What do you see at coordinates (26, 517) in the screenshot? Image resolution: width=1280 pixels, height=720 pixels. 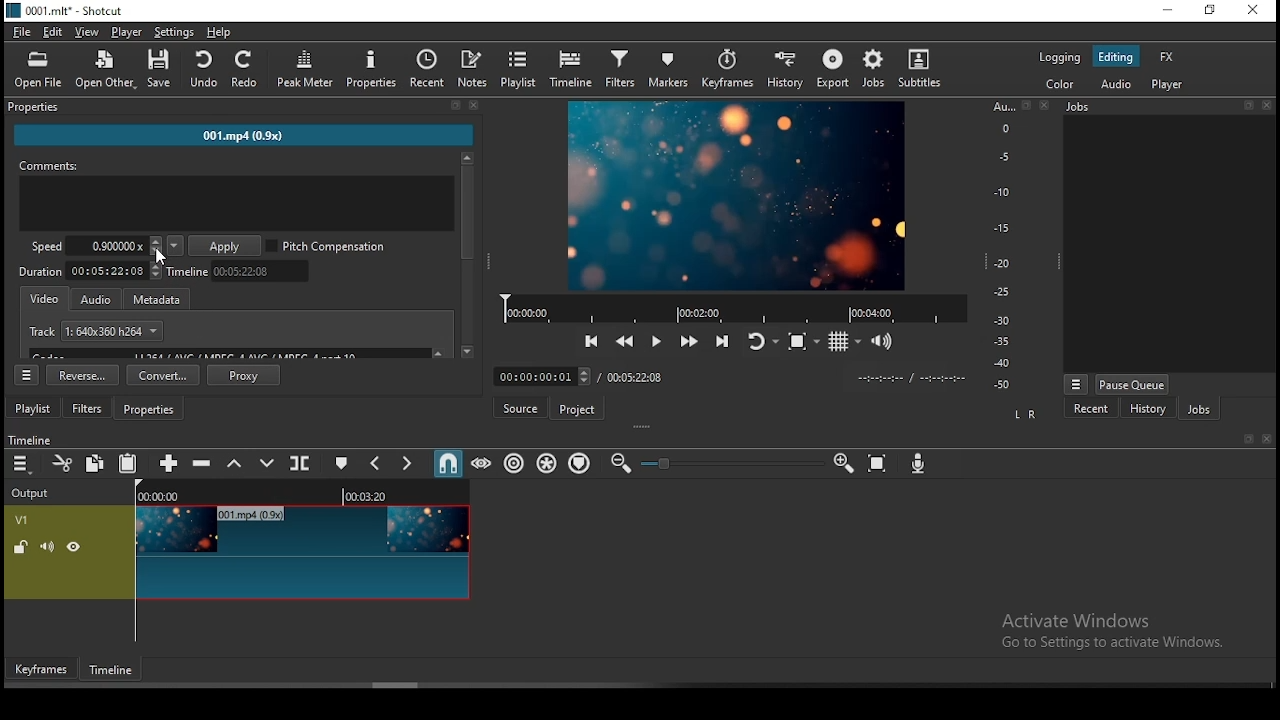 I see `V1` at bounding box center [26, 517].